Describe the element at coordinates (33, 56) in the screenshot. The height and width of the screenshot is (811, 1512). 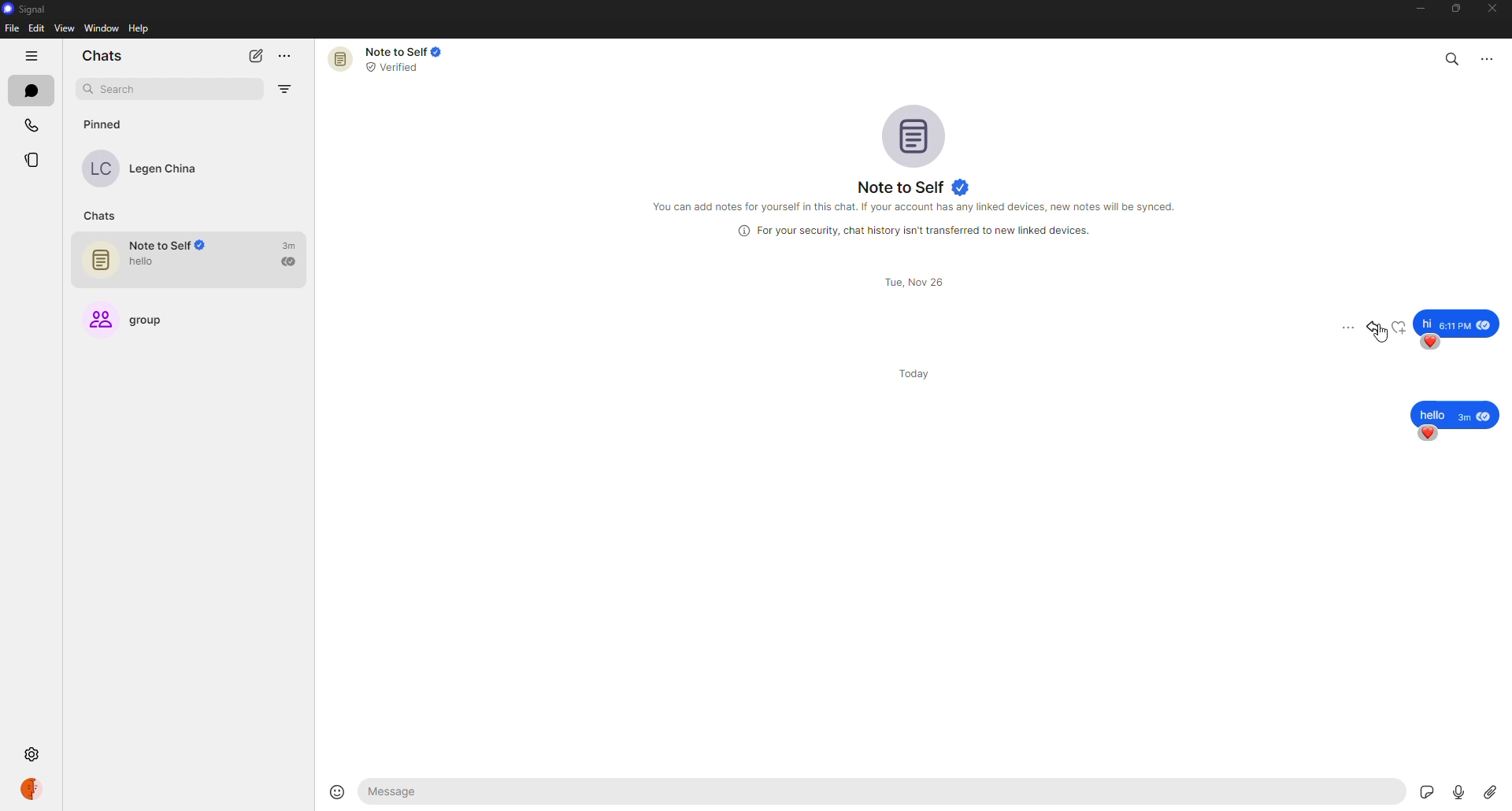
I see `hide tabs` at that location.